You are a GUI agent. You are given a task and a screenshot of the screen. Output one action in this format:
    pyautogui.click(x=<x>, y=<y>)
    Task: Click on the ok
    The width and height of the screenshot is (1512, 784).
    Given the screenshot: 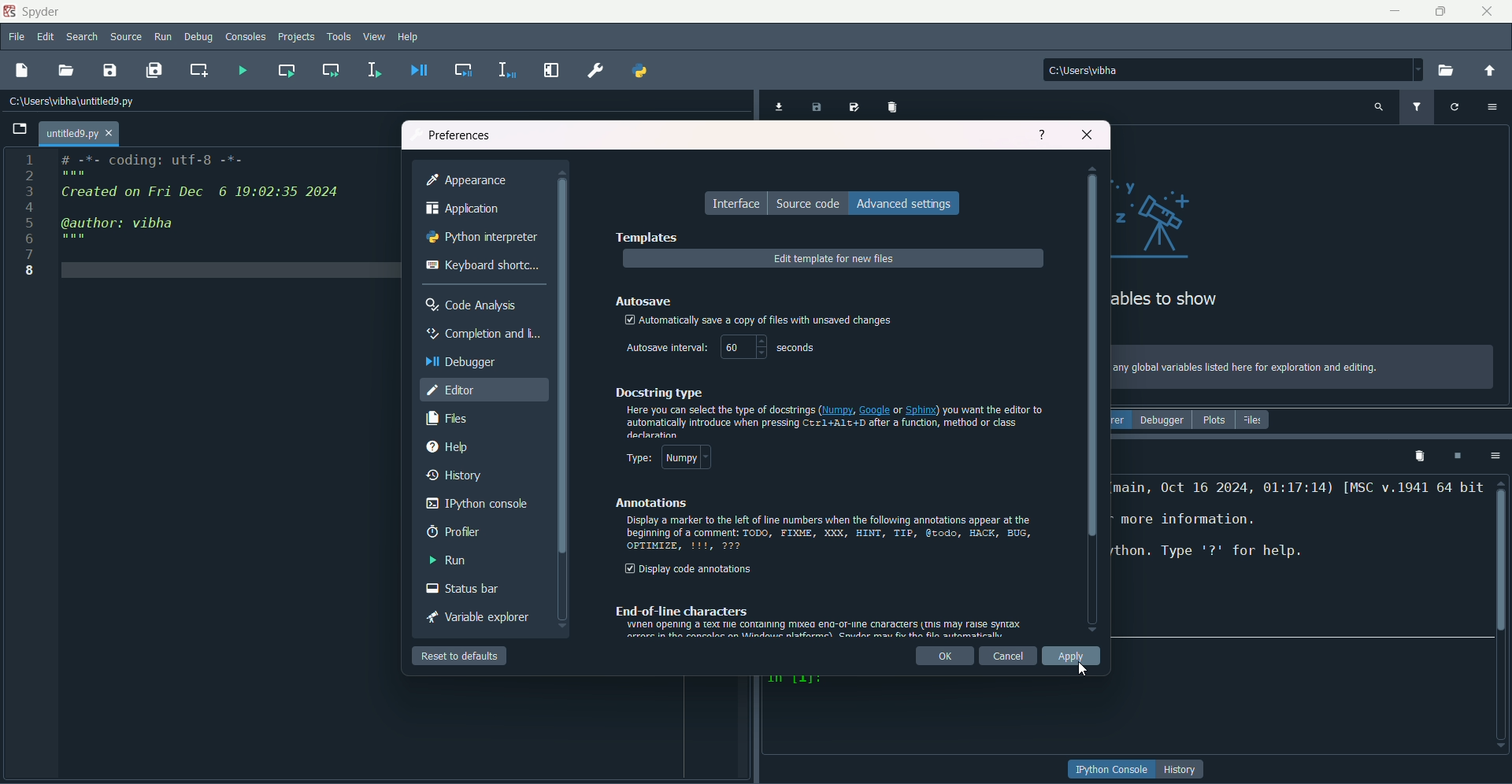 What is the action you would take?
    pyautogui.click(x=944, y=657)
    